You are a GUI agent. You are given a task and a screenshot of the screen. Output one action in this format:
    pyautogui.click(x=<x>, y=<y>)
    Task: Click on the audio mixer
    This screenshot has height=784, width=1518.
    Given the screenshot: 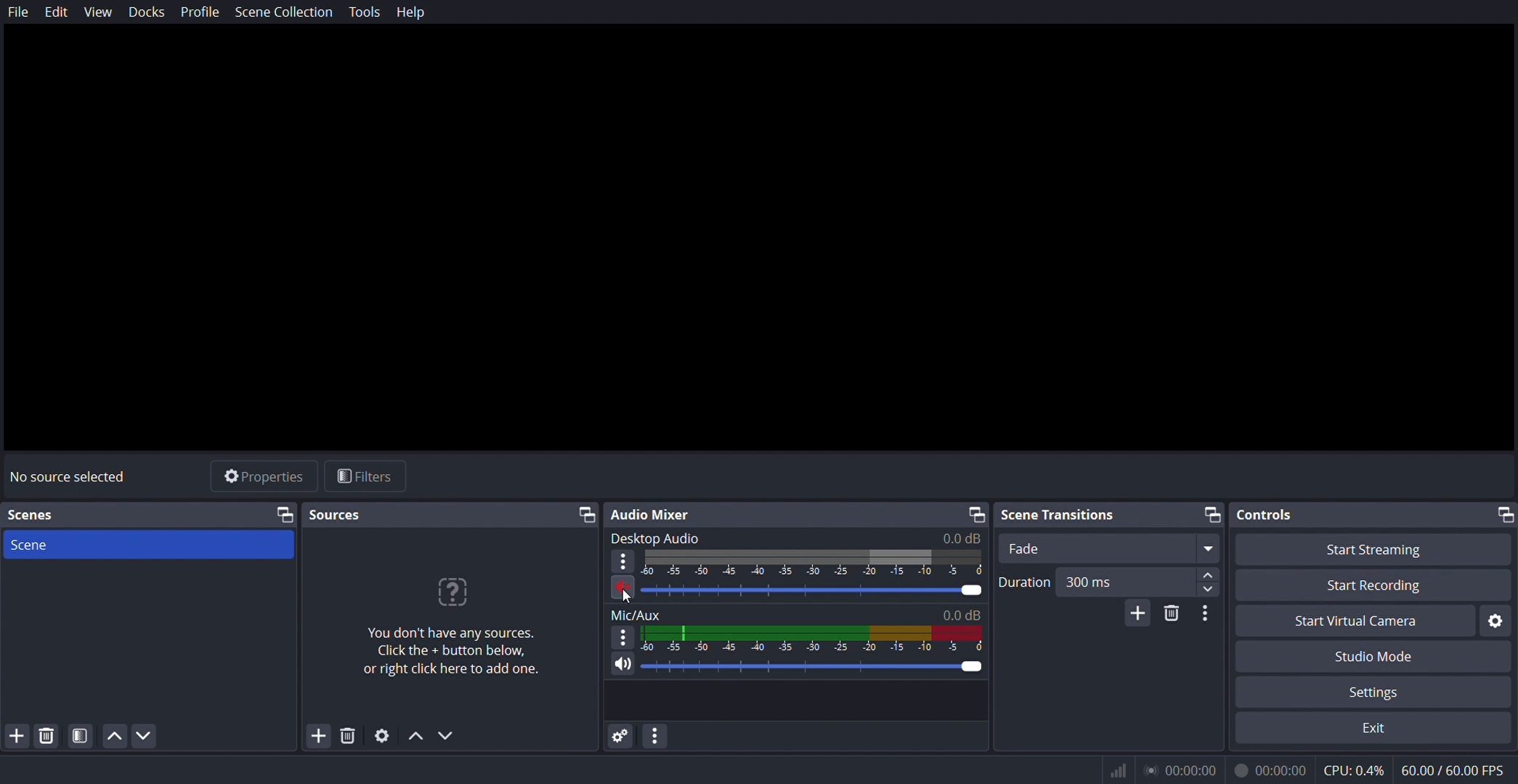 What is the action you would take?
    pyautogui.click(x=652, y=513)
    